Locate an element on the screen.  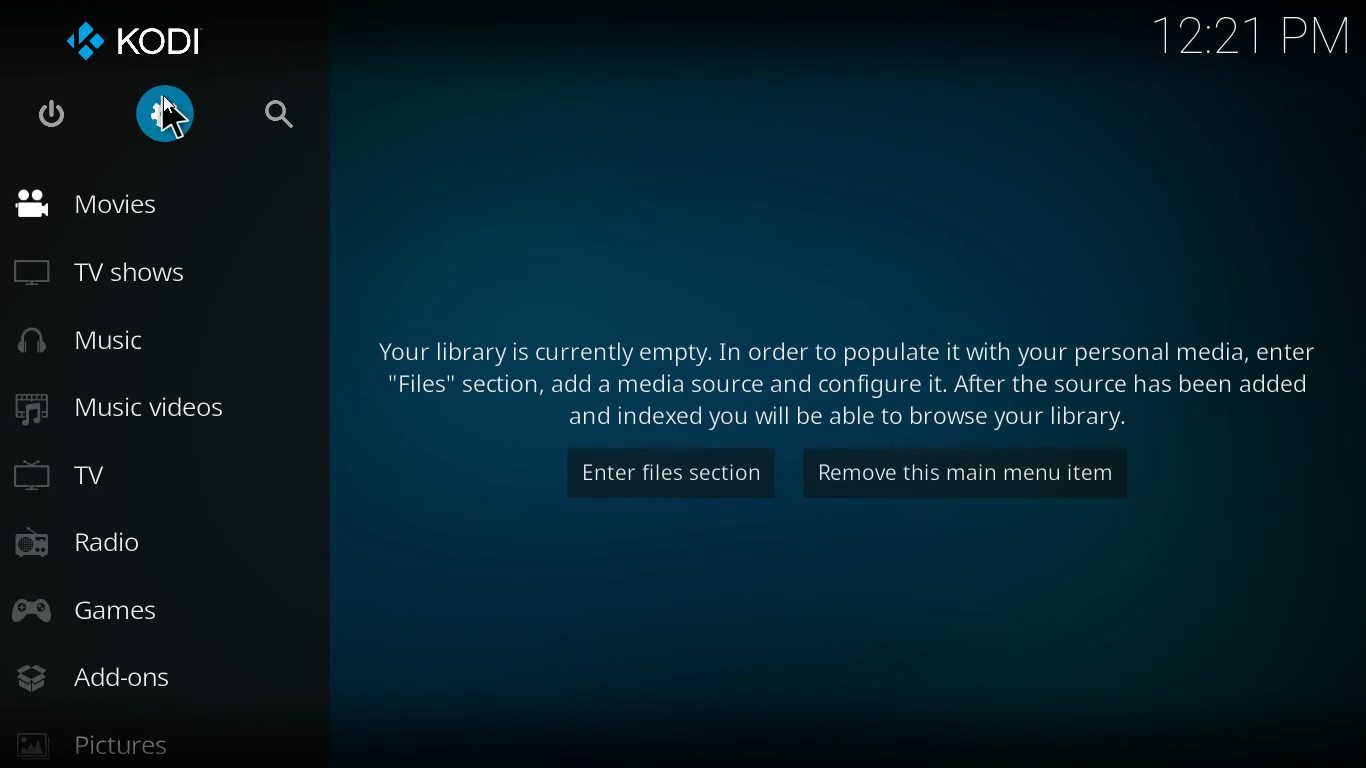
radio is located at coordinates (154, 546).